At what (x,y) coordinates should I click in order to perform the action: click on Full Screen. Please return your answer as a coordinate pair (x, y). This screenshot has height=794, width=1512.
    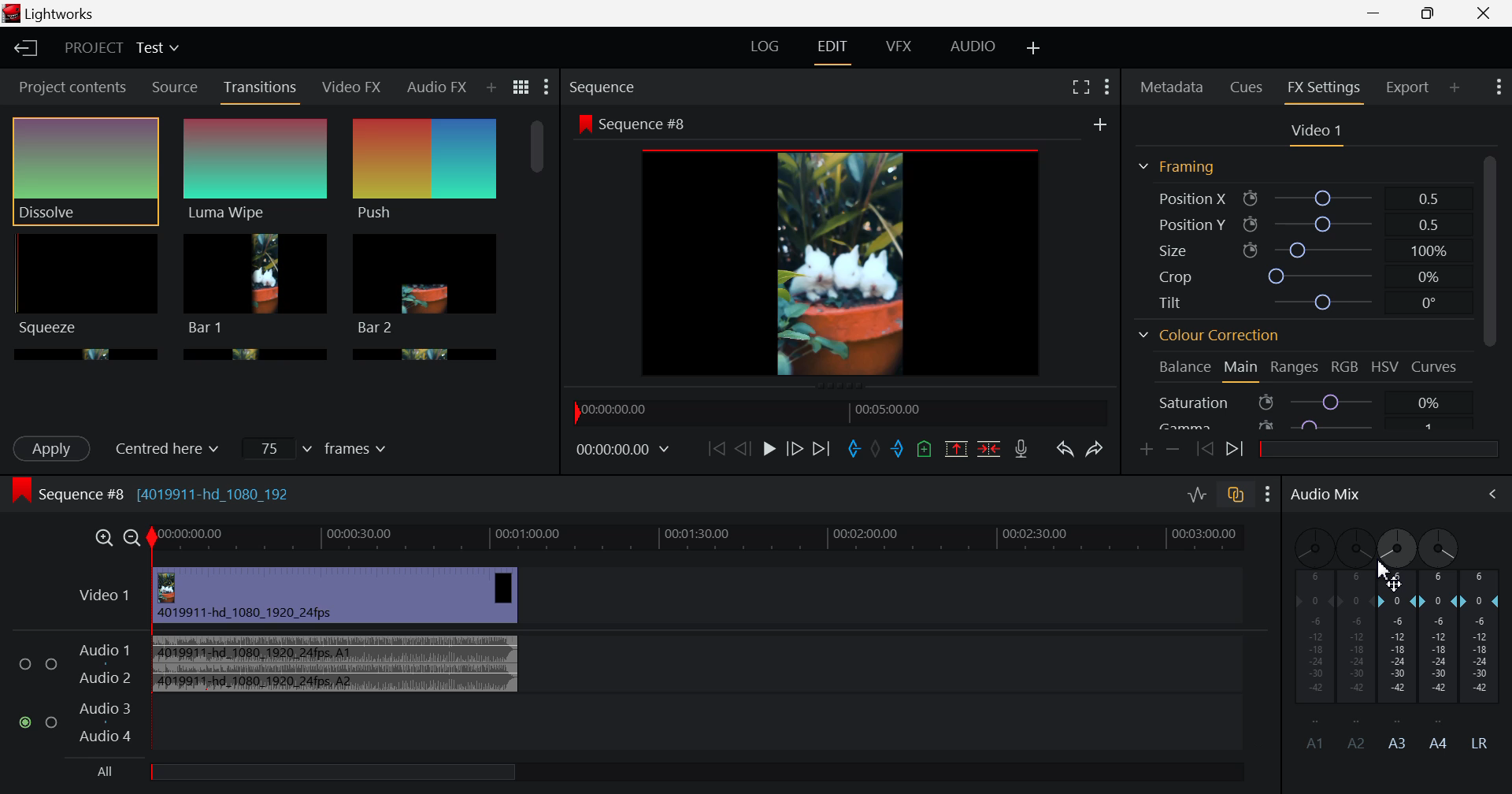
    Looking at the image, I should click on (1080, 87).